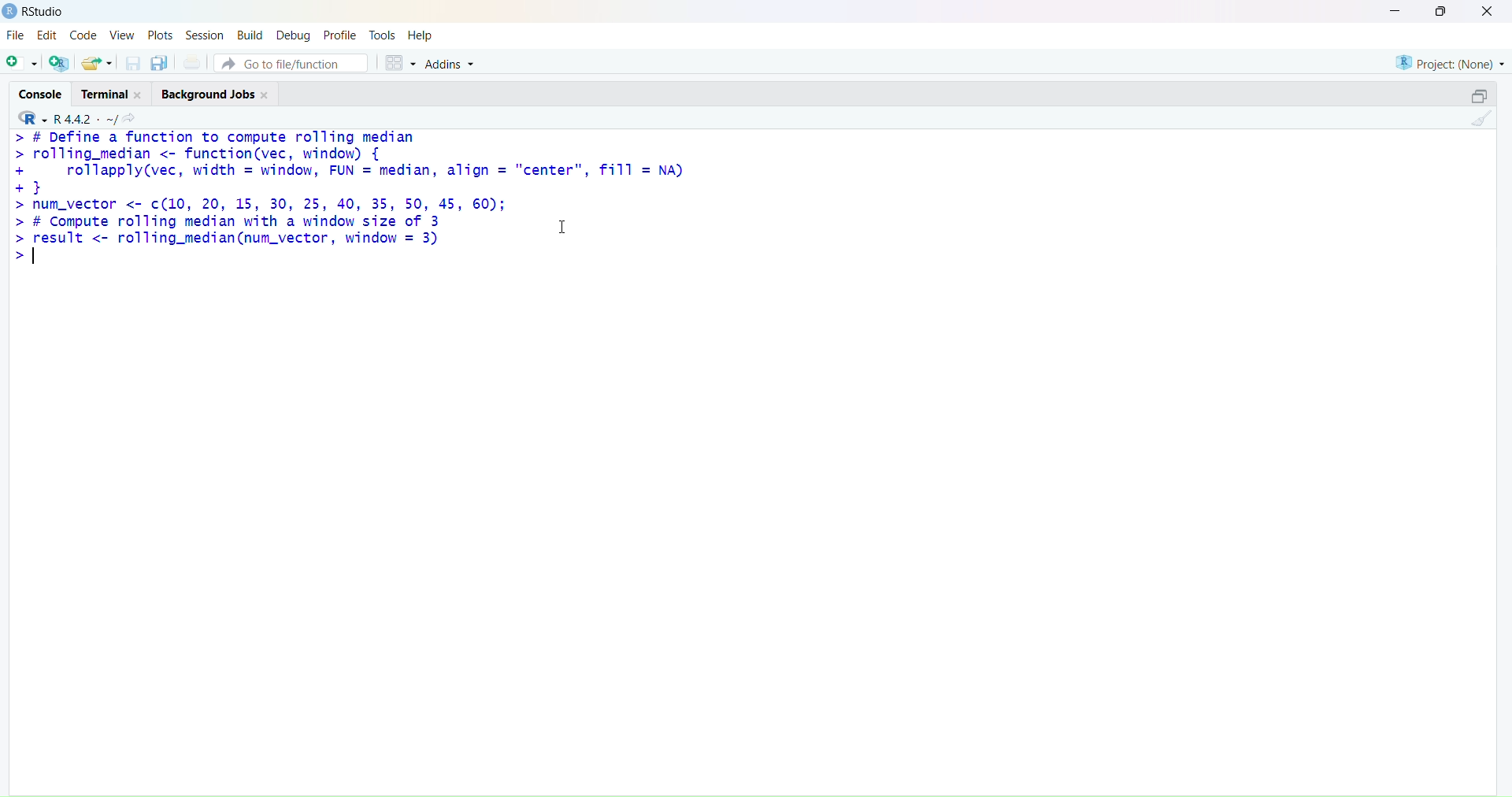 This screenshot has height=797, width=1512. Describe the element at coordinates (1395, 9) in the screenshot. I see `minimise` at that location.